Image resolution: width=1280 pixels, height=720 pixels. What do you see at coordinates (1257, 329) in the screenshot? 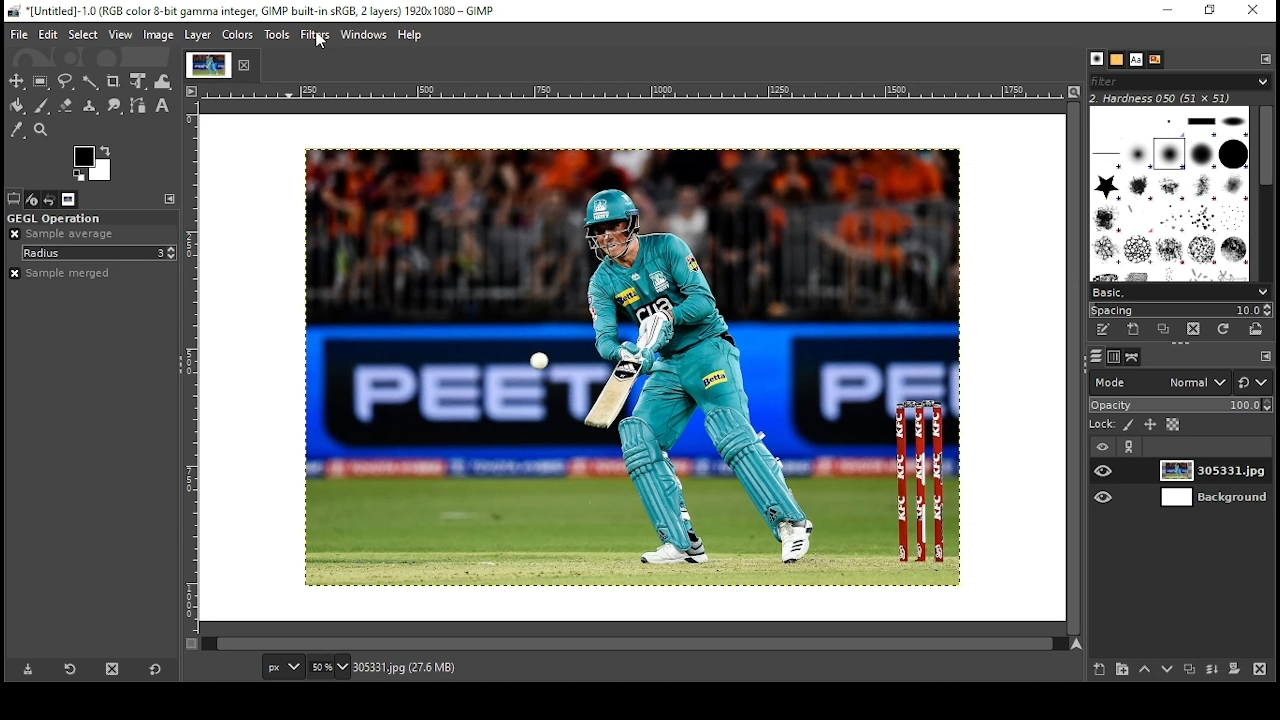
I see `open brush as image` at bounding box center [1257, 329].